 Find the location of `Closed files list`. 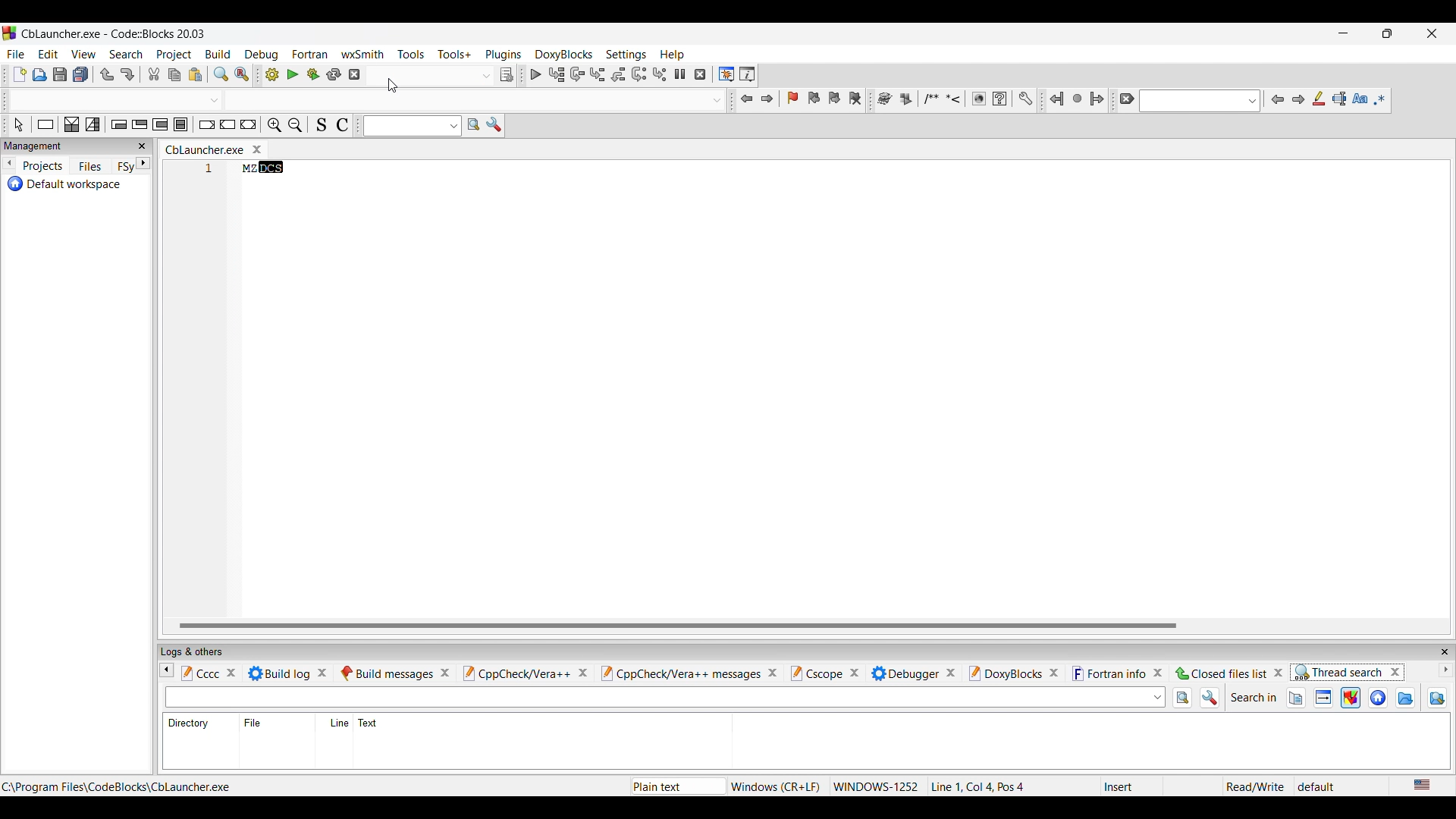

Closed files list is located at coordinates (1222, 673).